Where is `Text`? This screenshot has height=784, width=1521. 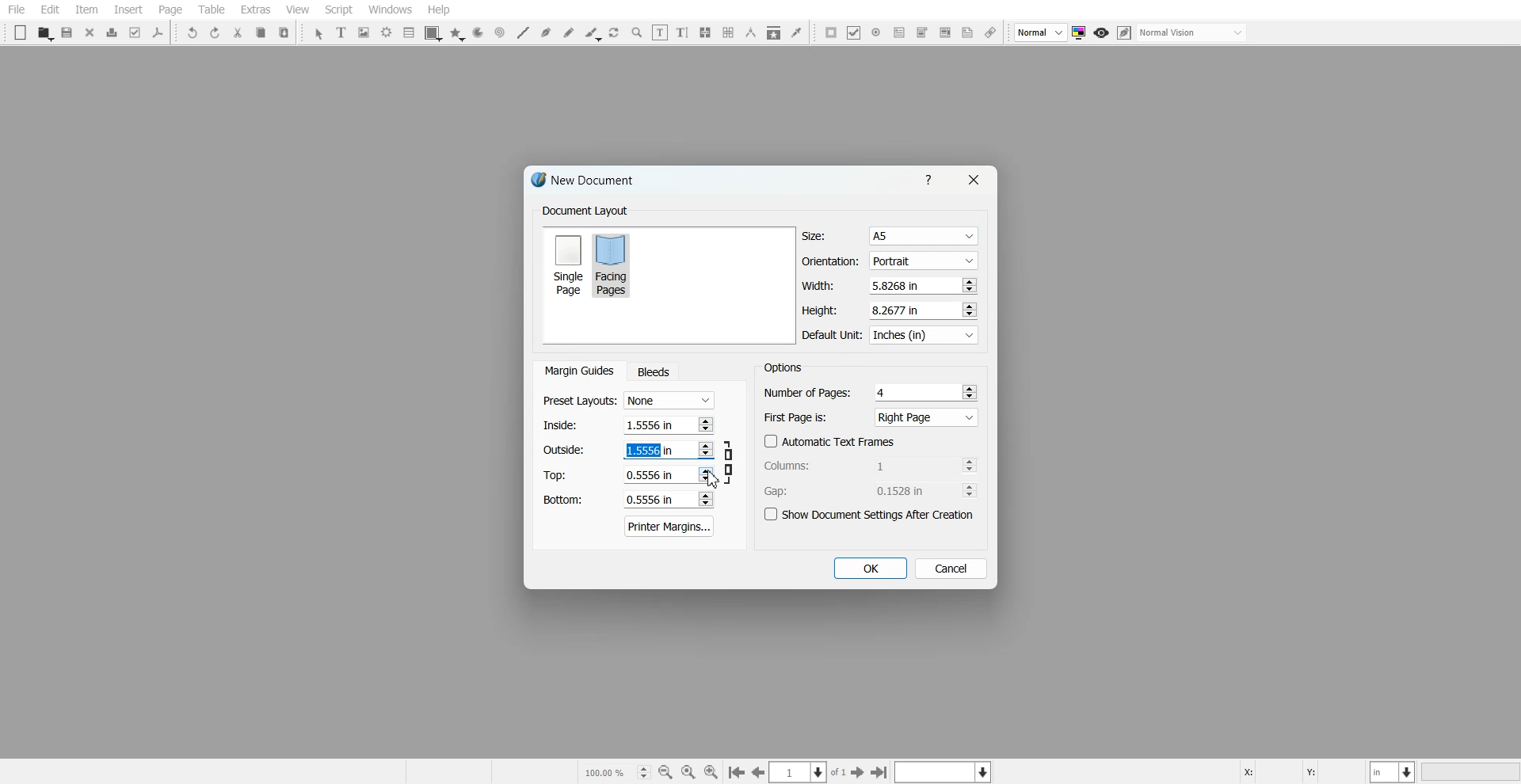
Text is located at coordinates (589, 182).